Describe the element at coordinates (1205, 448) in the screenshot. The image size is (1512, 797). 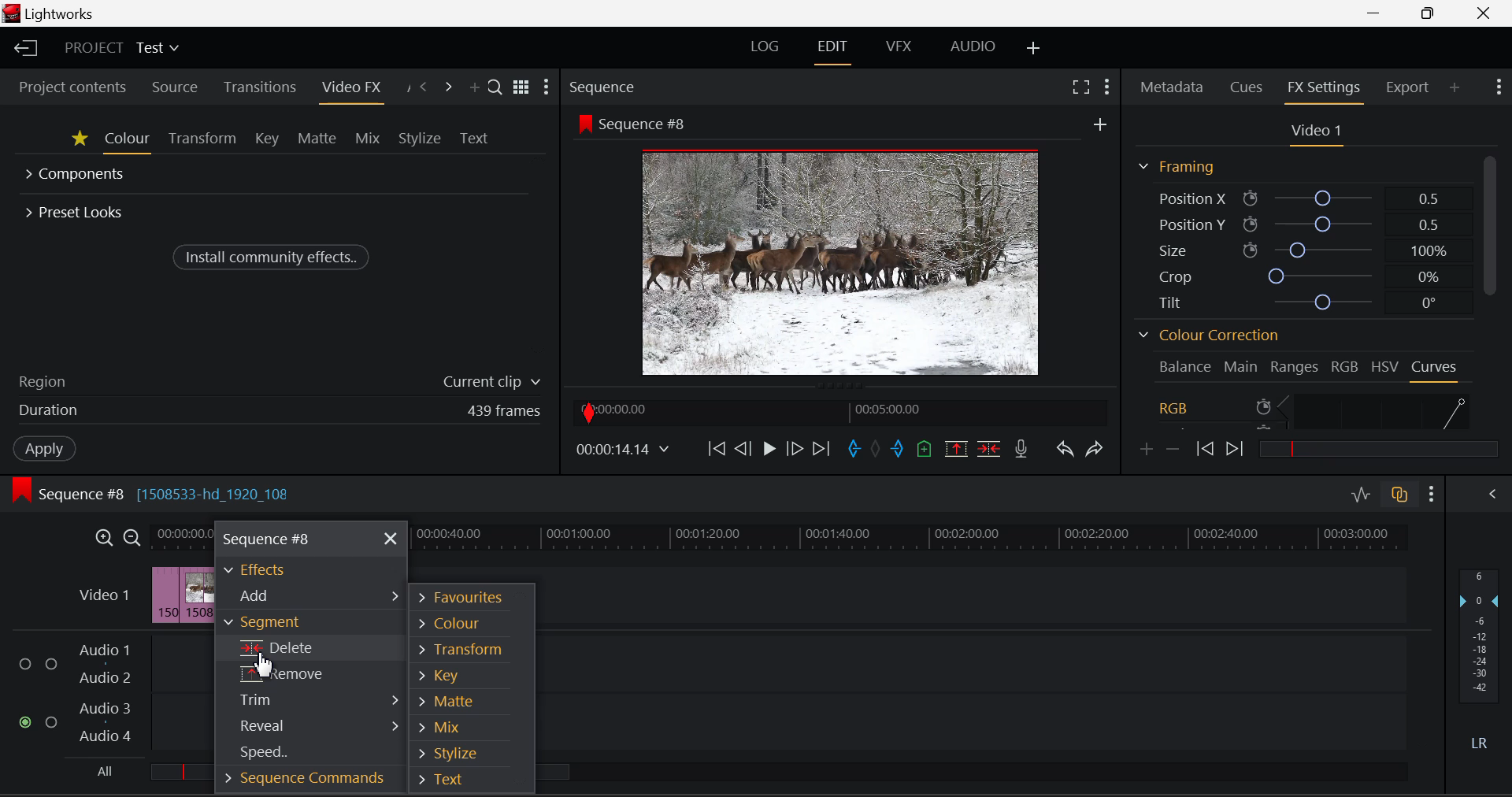
I see `Previous keyframe` at that location.